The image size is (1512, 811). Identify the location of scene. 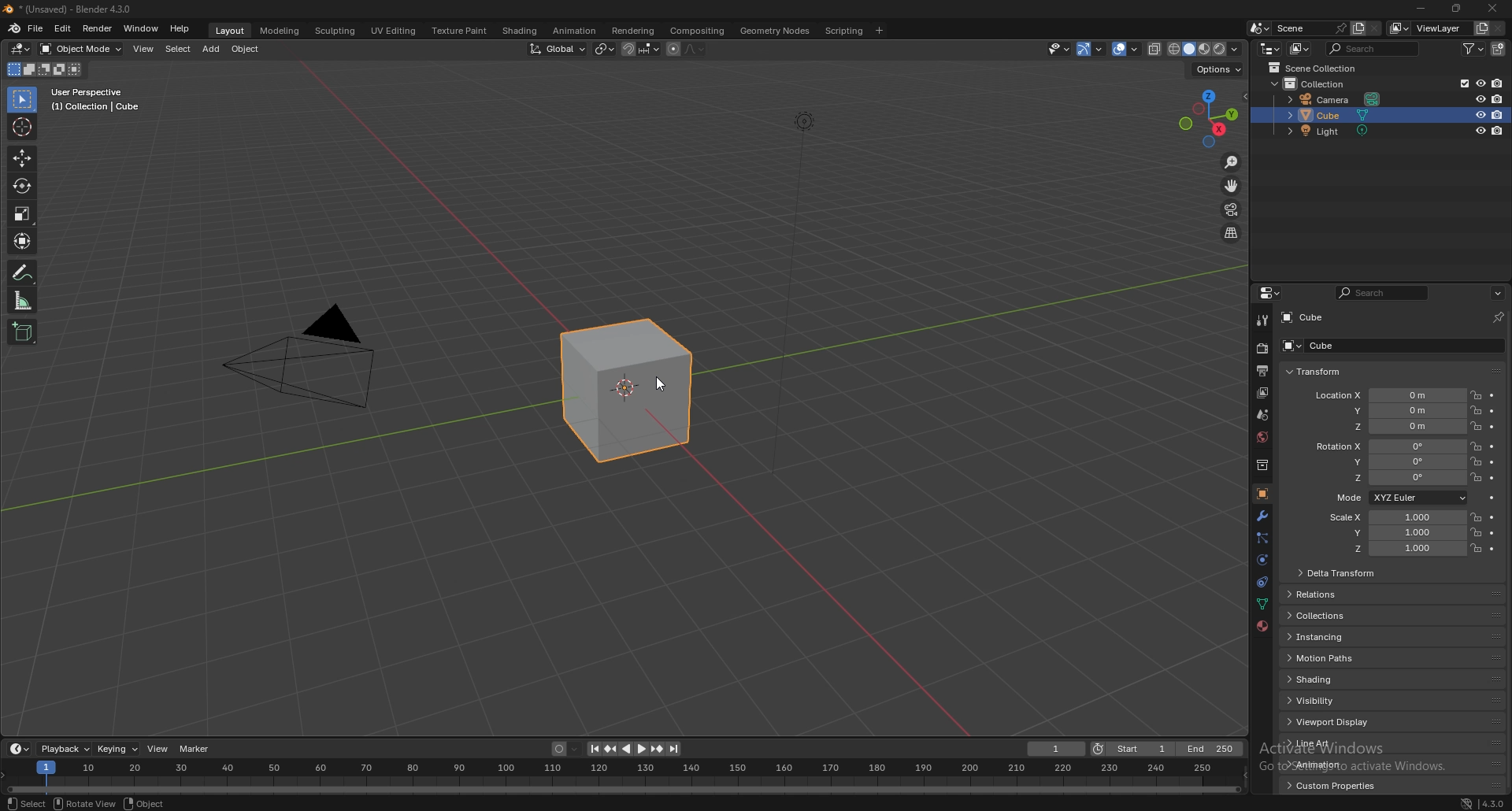
(1262, 415).